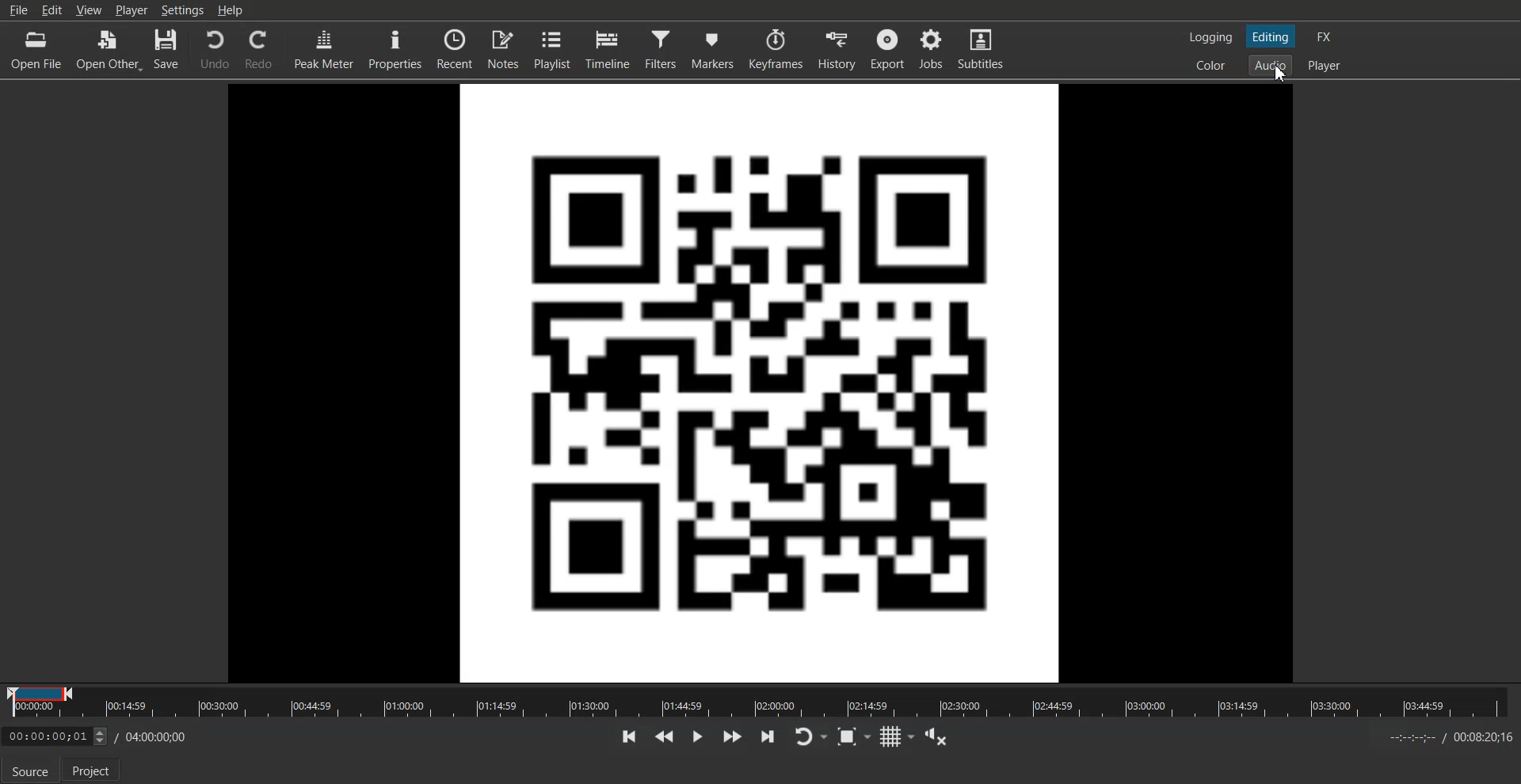  I want to click on Skip to the next point, so click(768, 736).